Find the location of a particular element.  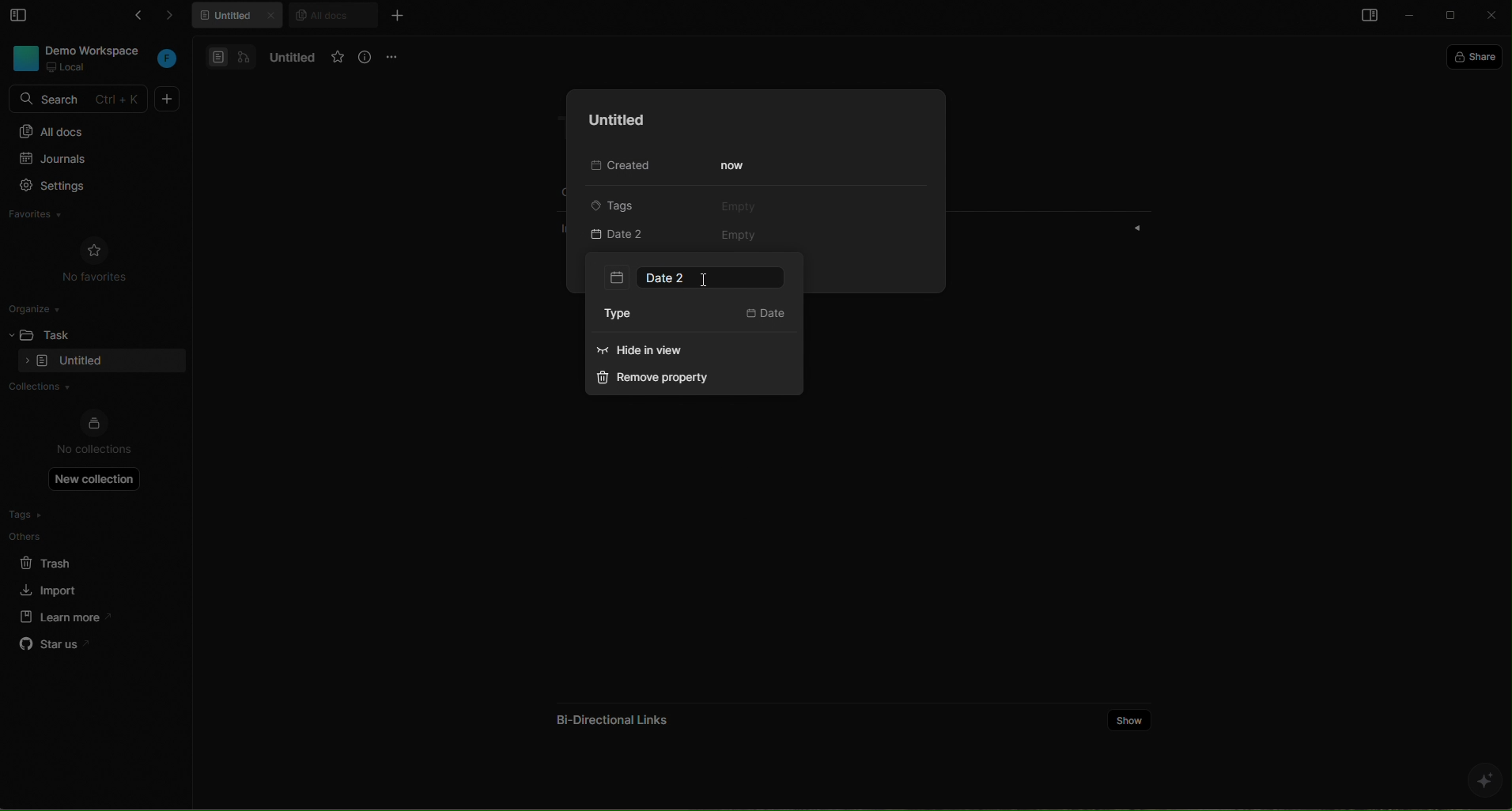

maximize is located at coordinates (1453, 17).